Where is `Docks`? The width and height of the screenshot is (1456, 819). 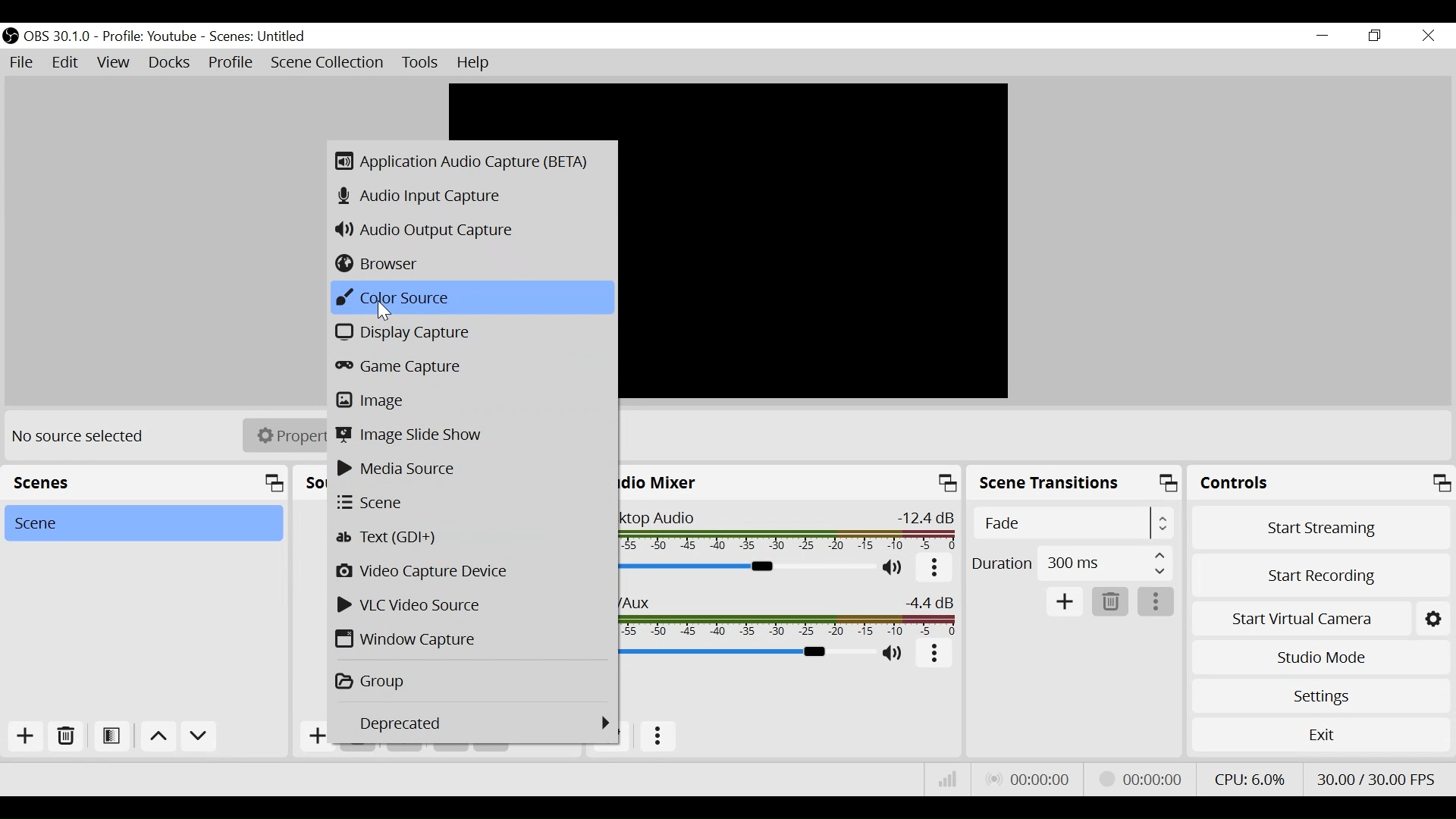 Docks is located at coordinates (171, 63).